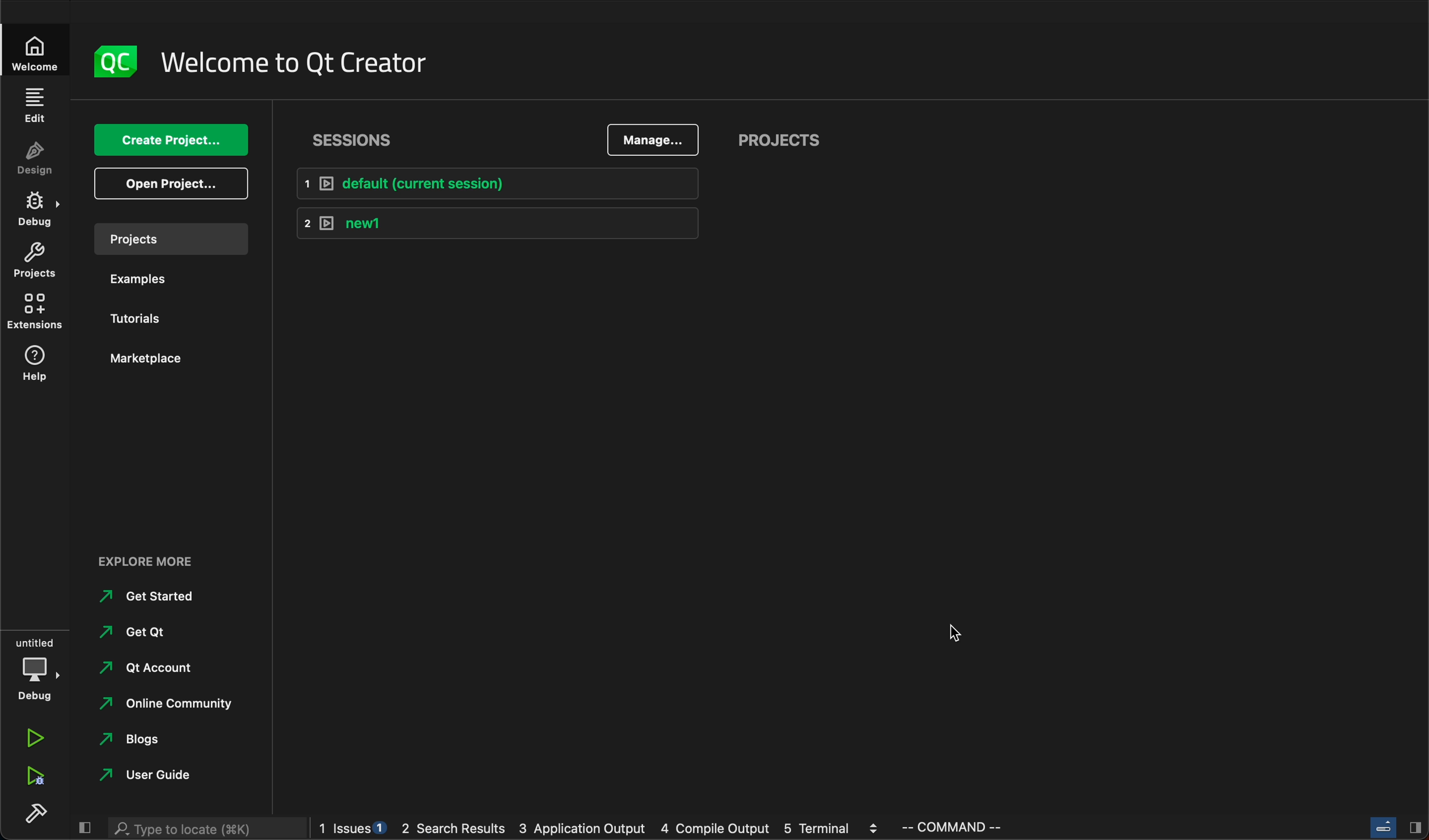 This screenshot has height=840, width=1429. I want to click on sessions, so click(357, 141).